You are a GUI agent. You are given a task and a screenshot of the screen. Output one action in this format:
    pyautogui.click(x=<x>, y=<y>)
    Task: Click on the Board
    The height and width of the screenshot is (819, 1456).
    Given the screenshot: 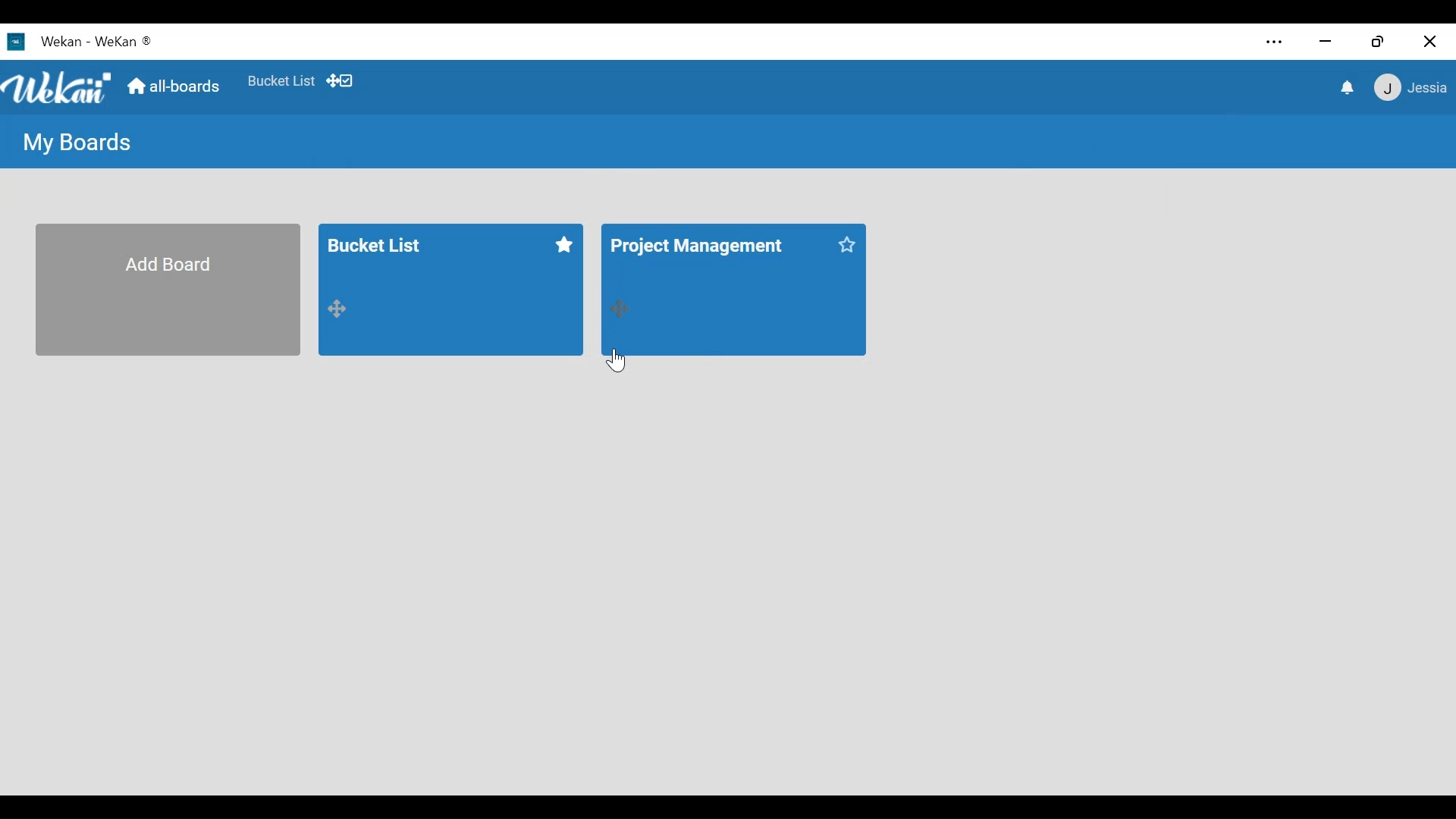 What is the action you would take?
    pyautogui.click(x=732, y=290)
    